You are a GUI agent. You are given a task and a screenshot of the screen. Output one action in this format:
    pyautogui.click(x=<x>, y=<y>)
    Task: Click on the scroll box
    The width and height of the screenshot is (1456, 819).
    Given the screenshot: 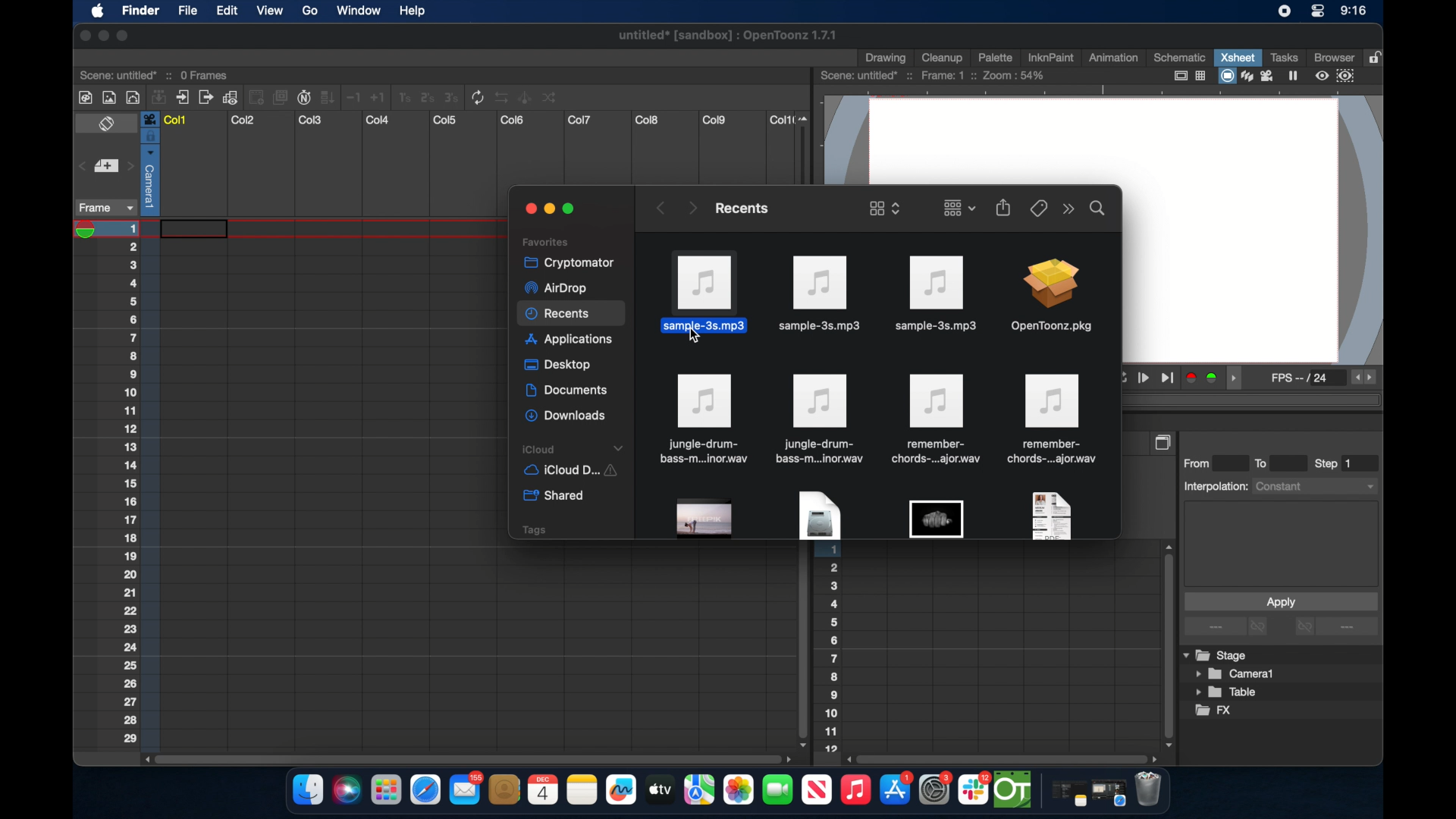 What is the action you would take?
    pyautogui.click(x=466, y=758)
    